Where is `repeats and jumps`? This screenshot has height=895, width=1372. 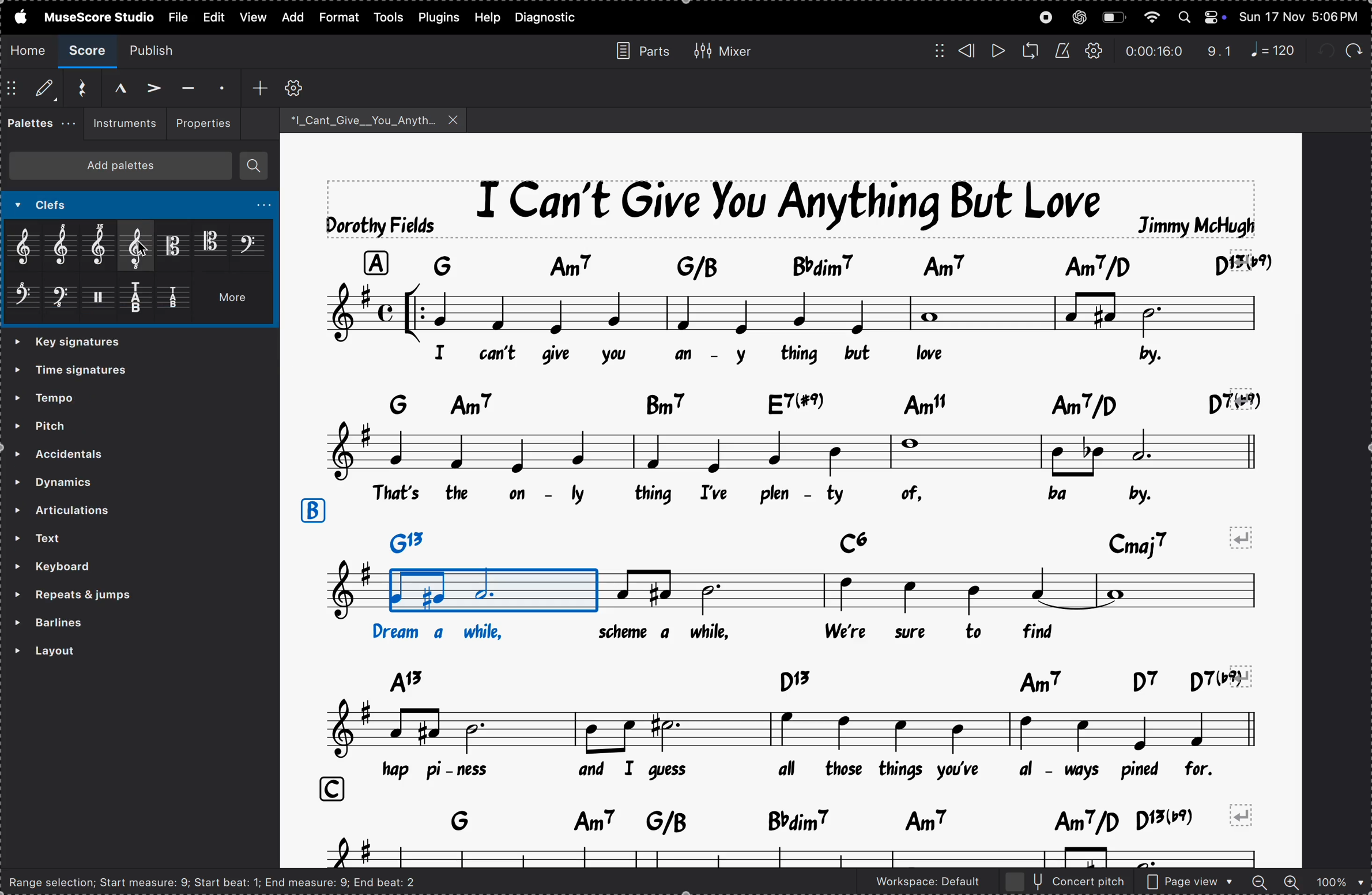
repeats and jumps is located at coordinates (105, 595).